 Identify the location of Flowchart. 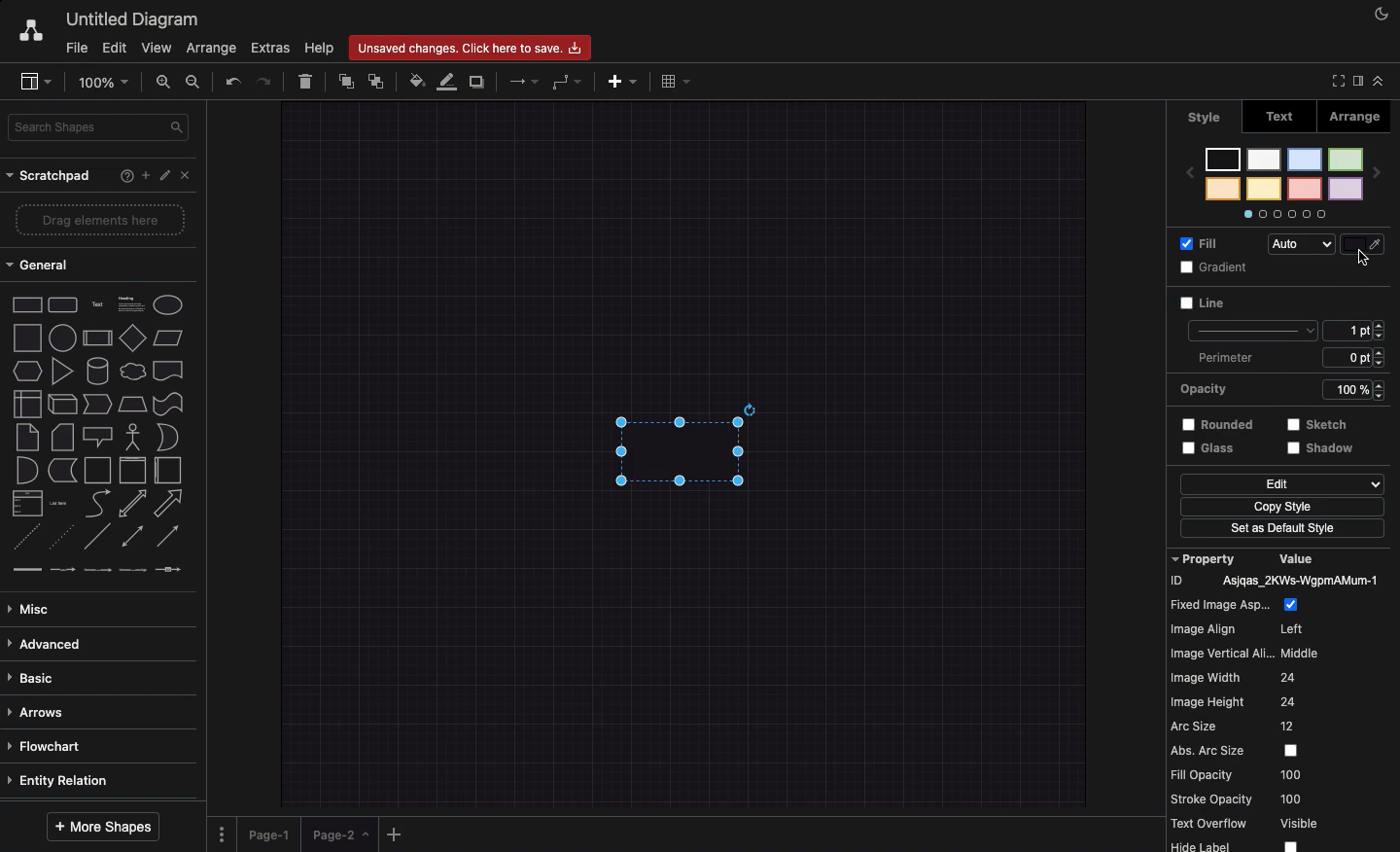
(48, 745).